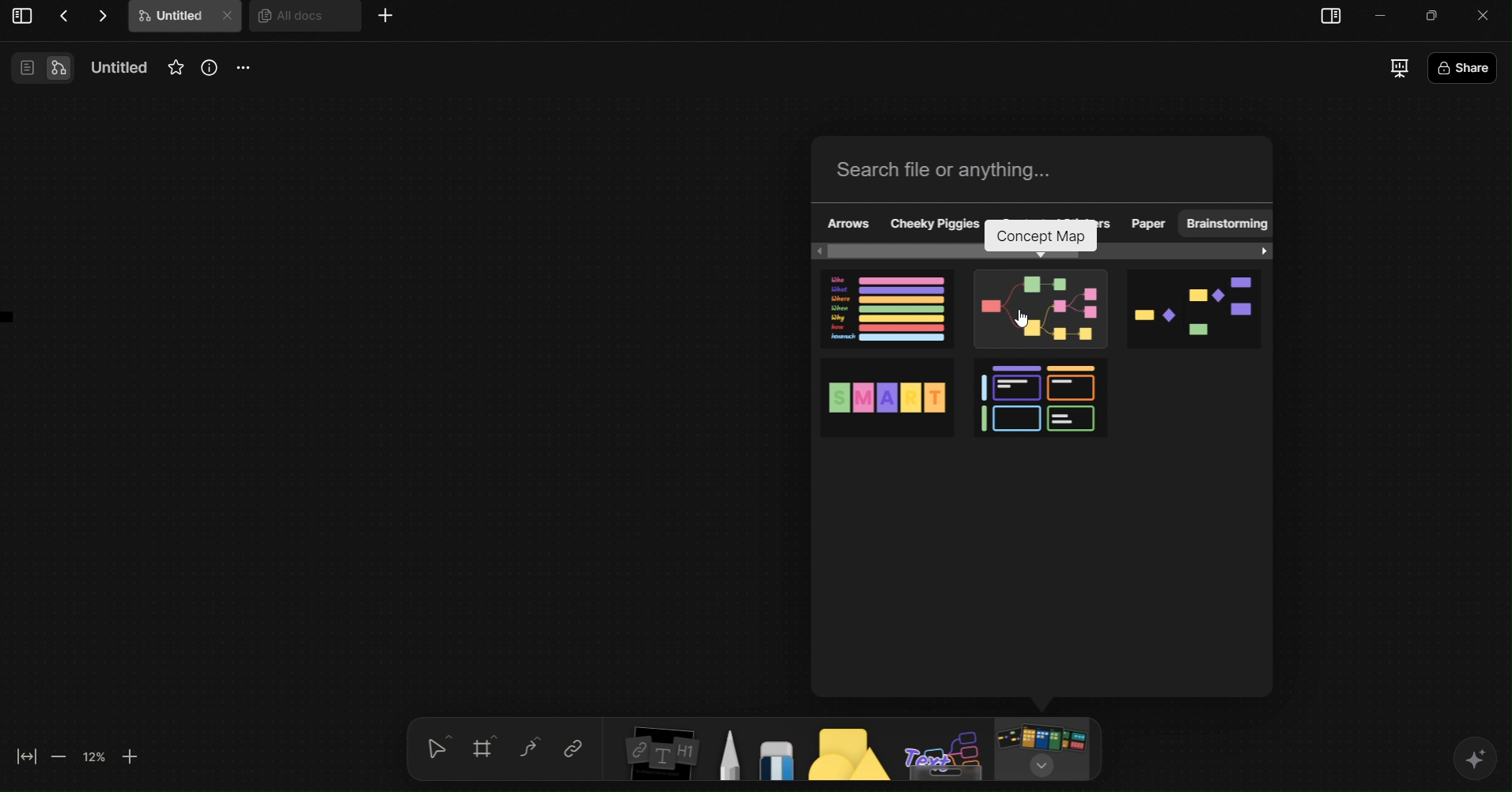 This screenshot has width=1512, height=792. What do you see at coordinates (1022, 322) in the screenshot?
I see `cursor` at bounding box center [1022, 322].